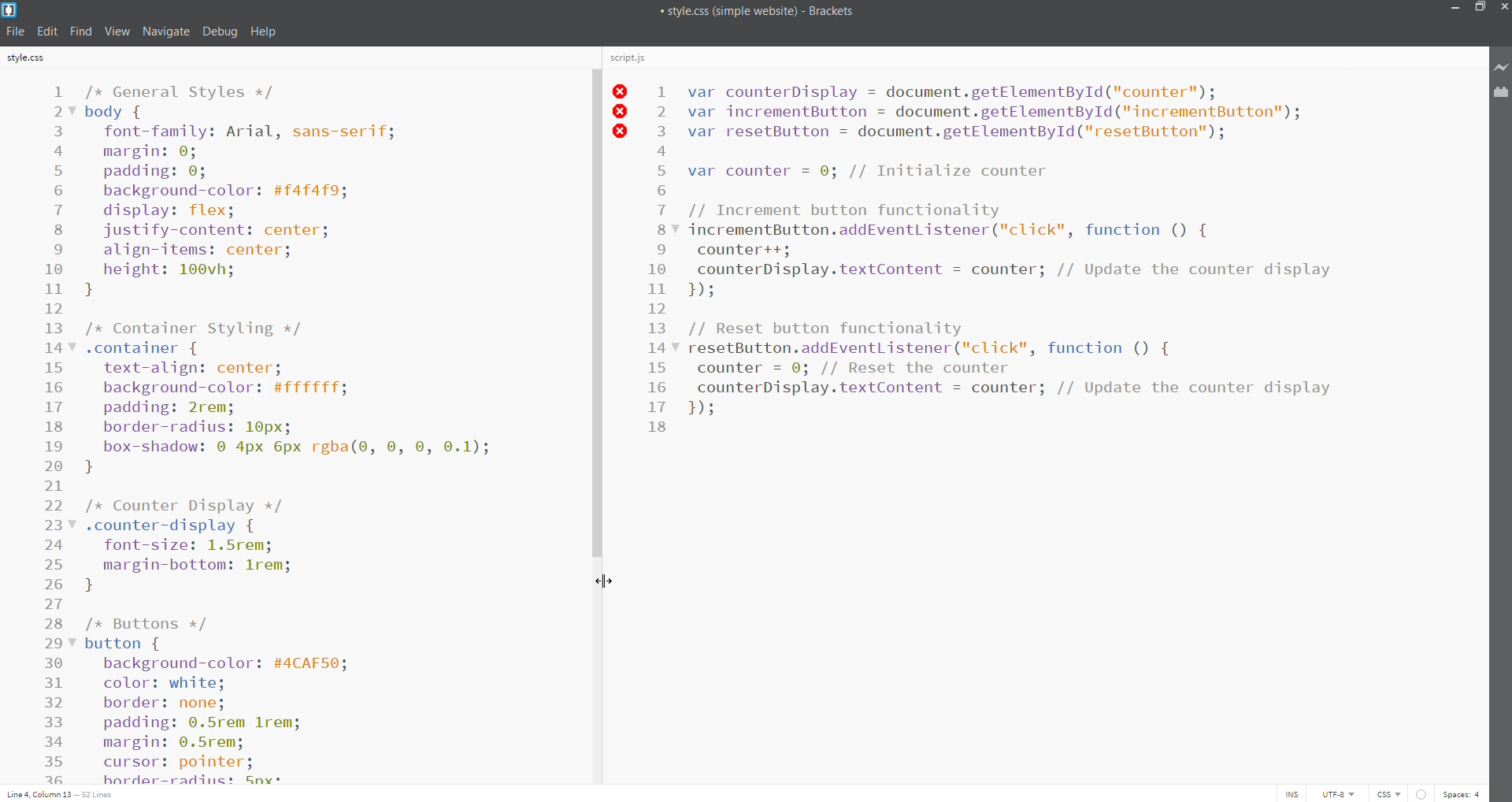 The height and width of the screenshot is (802, 1512). What do you see at coordinates (326, 429) in the screenshot?
I see `style.css editor` at bounding box center [326, 429].